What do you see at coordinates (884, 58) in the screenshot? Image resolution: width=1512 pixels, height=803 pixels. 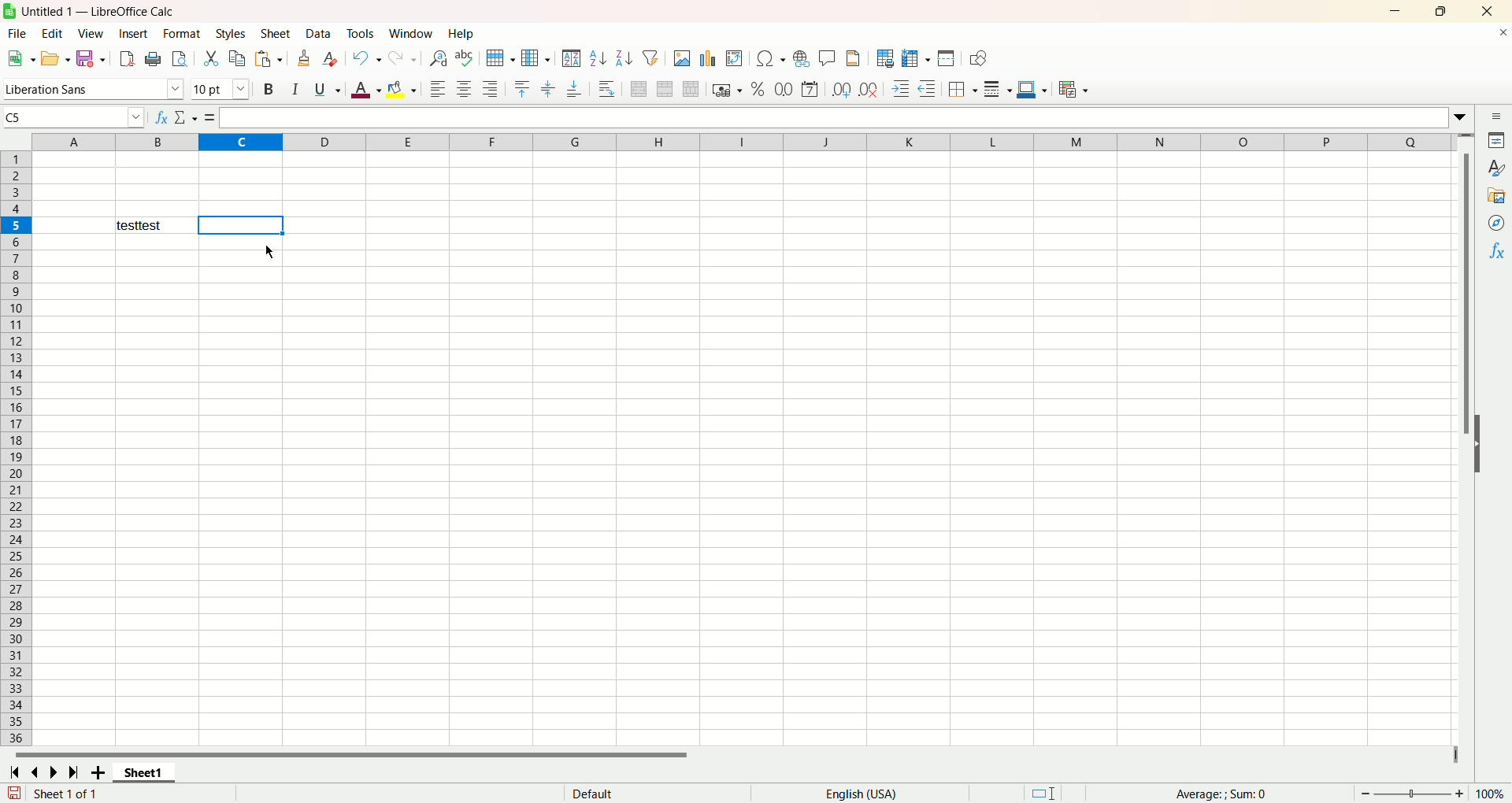 I see `define print area` at bounding box center [884, 58].